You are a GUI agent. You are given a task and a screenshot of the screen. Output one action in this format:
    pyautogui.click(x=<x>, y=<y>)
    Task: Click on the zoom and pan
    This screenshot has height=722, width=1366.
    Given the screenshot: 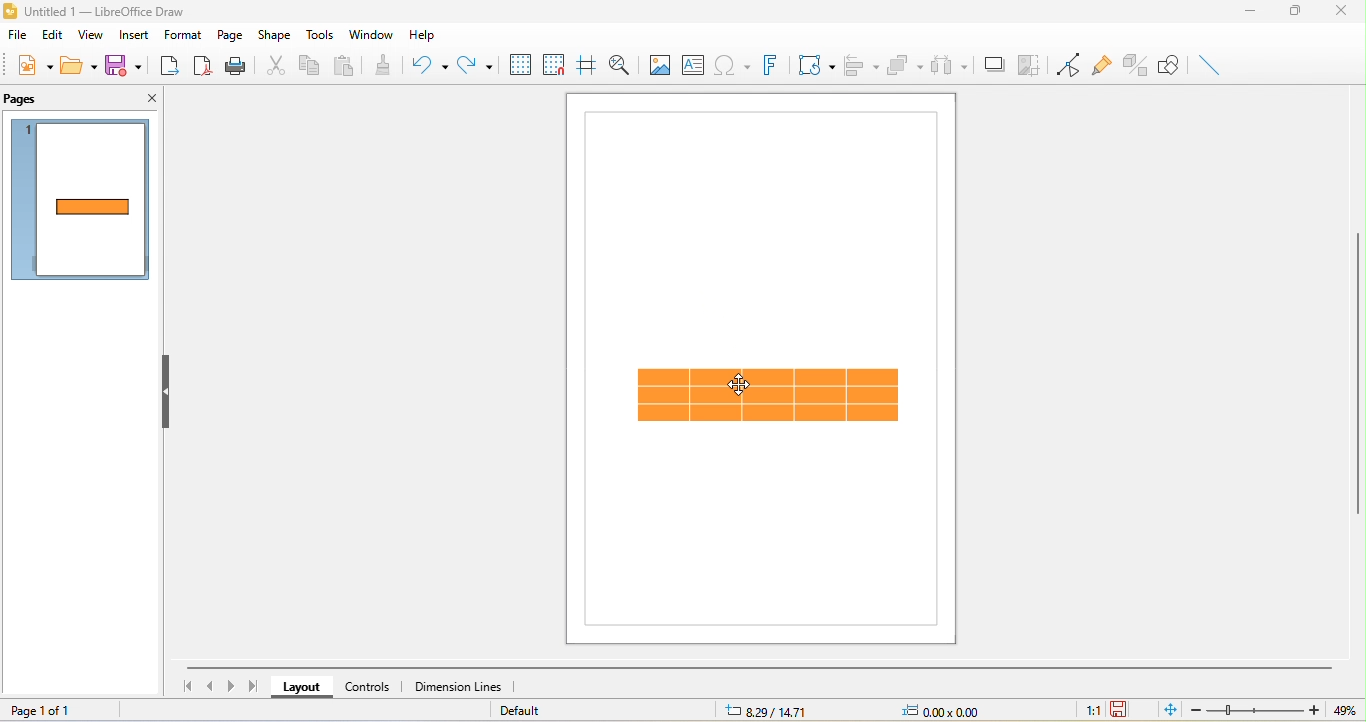 What is the action you would take?
    pyautogui.click(x=623, y=67)
    